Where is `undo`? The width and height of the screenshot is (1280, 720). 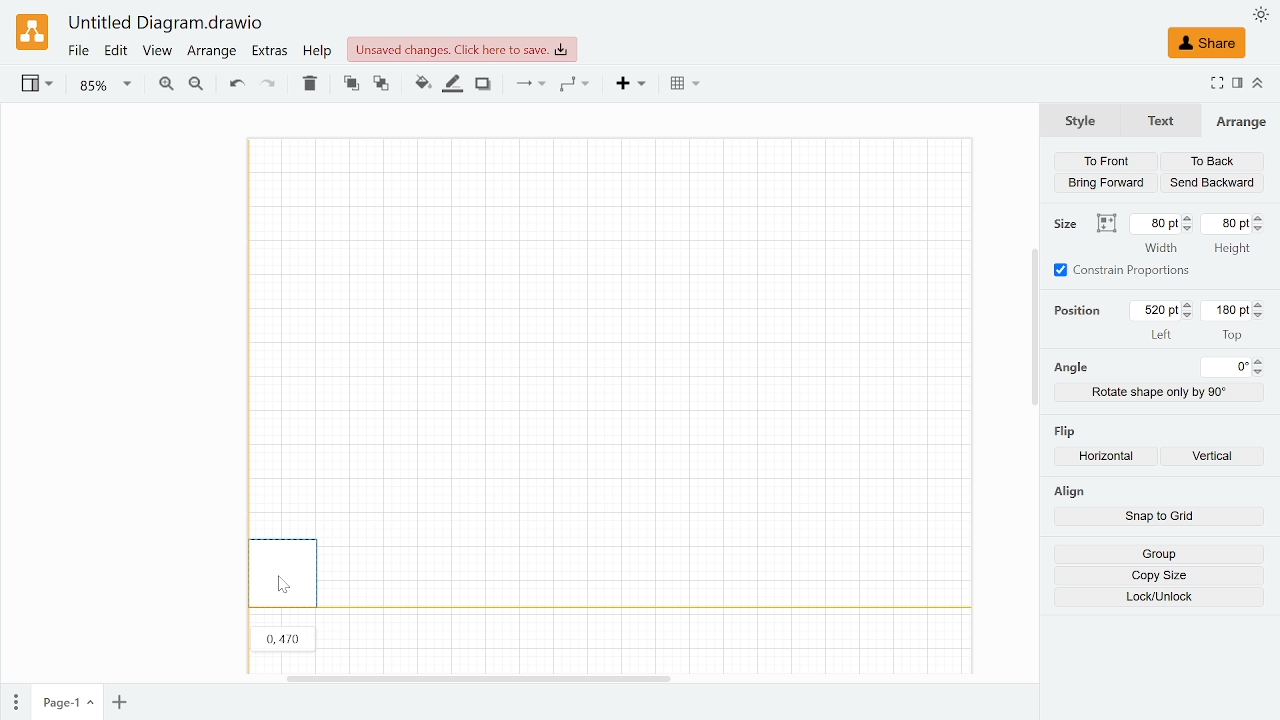
undo is located at coordinates (234, 84).